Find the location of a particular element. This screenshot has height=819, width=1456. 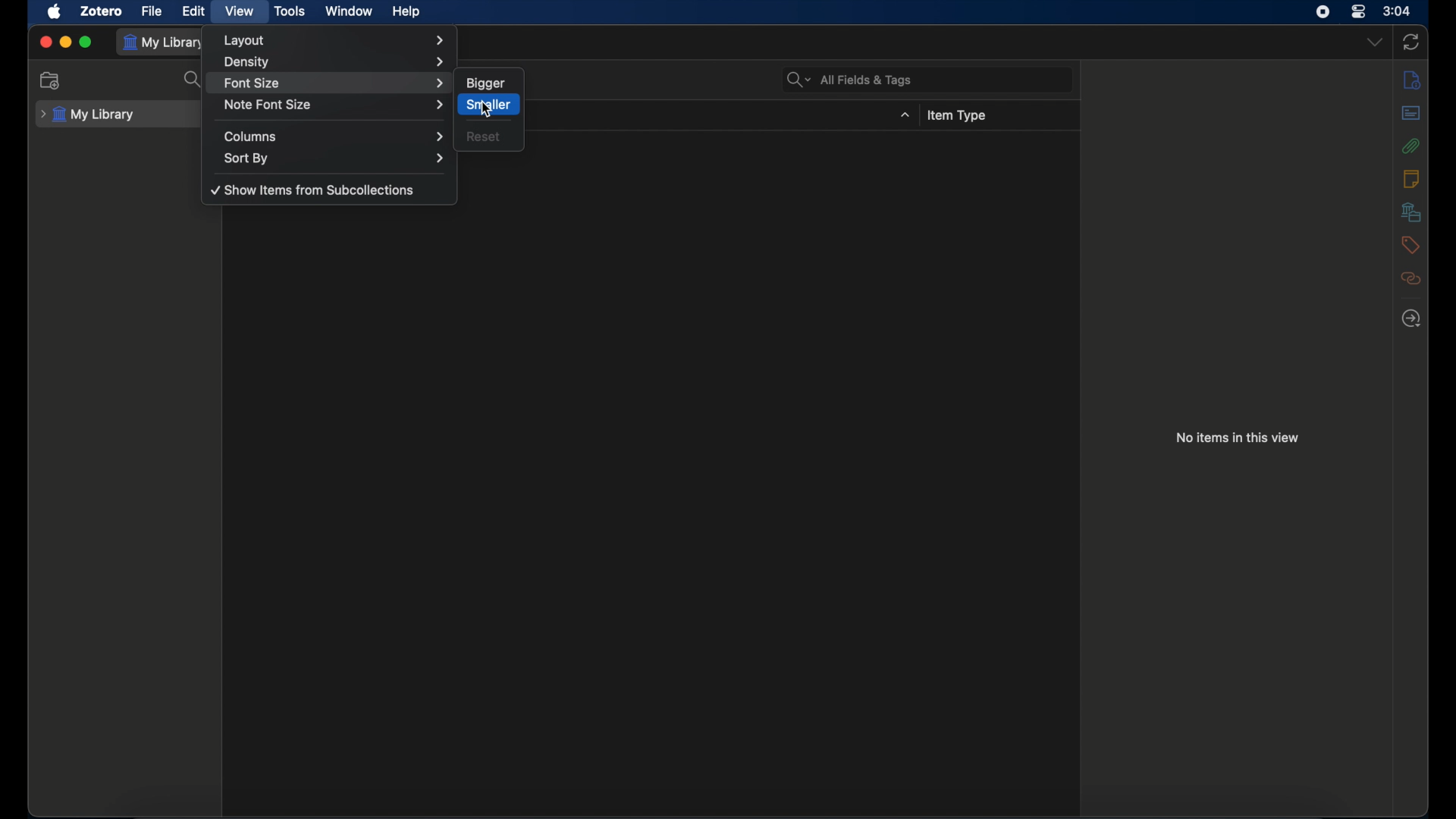

columns is located at coordinates (333, 136).